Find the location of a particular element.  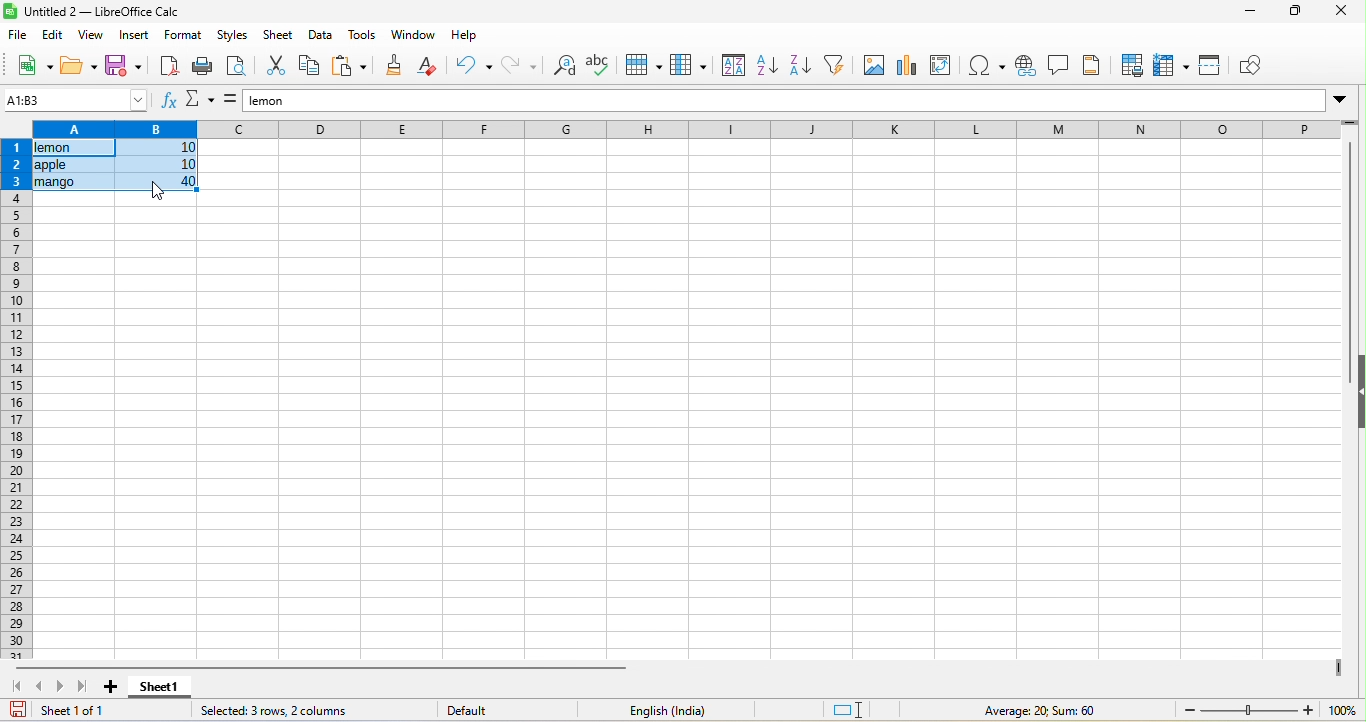

vertical scroll bar is located at coordinates (1349, 234).